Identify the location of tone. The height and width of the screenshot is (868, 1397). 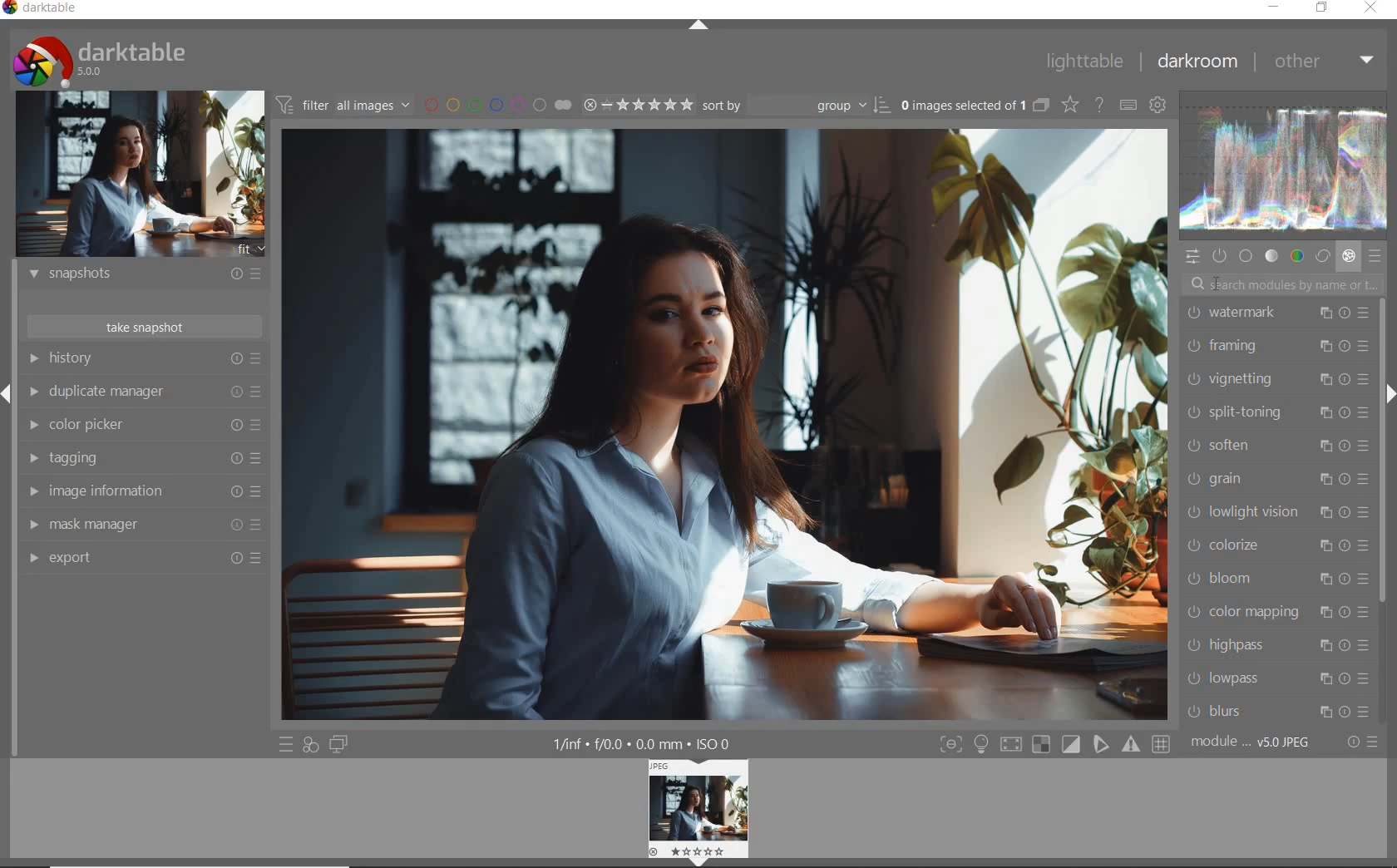
(1271, 255).